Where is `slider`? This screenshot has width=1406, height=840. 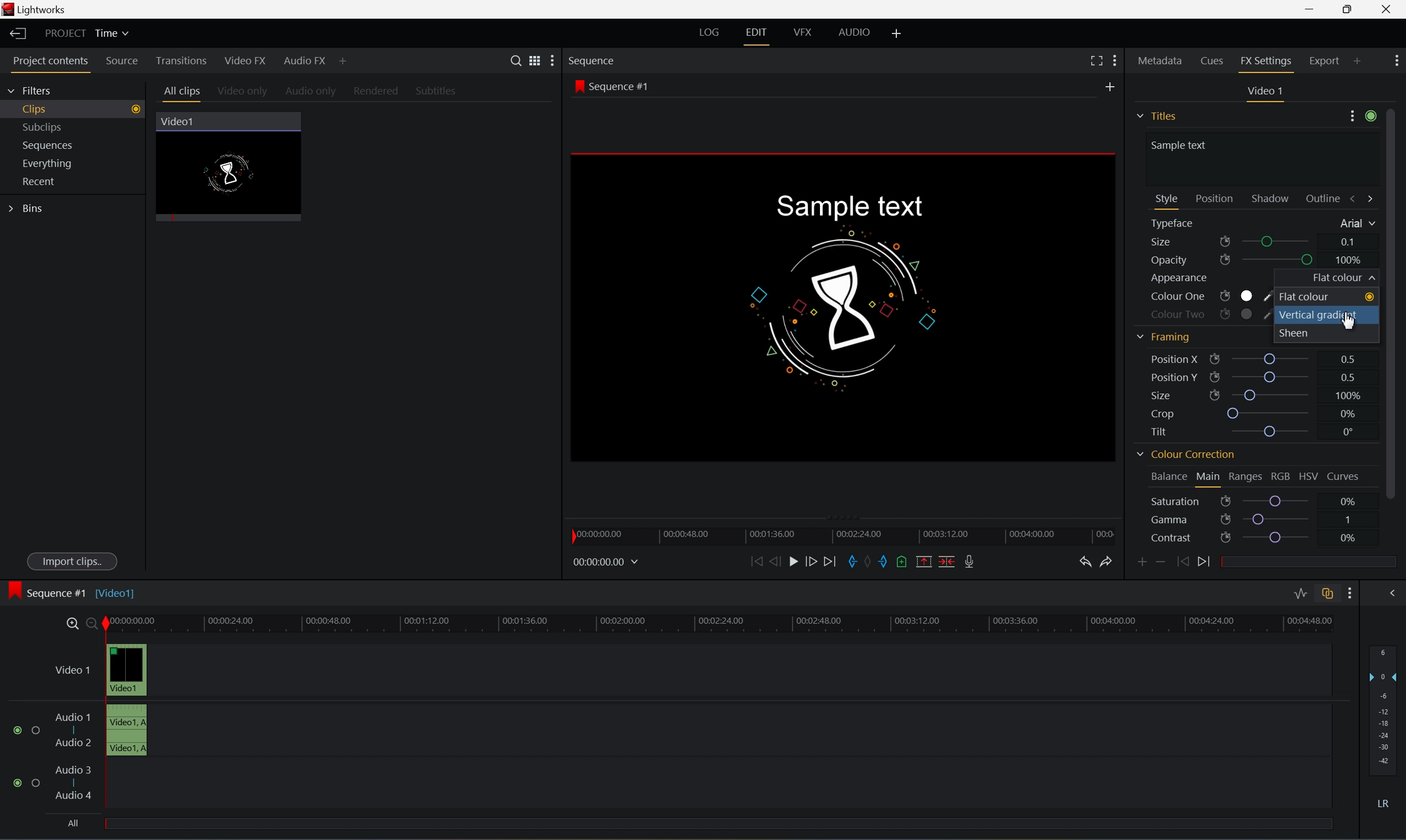 slider is located at coordinates (1273, 431).